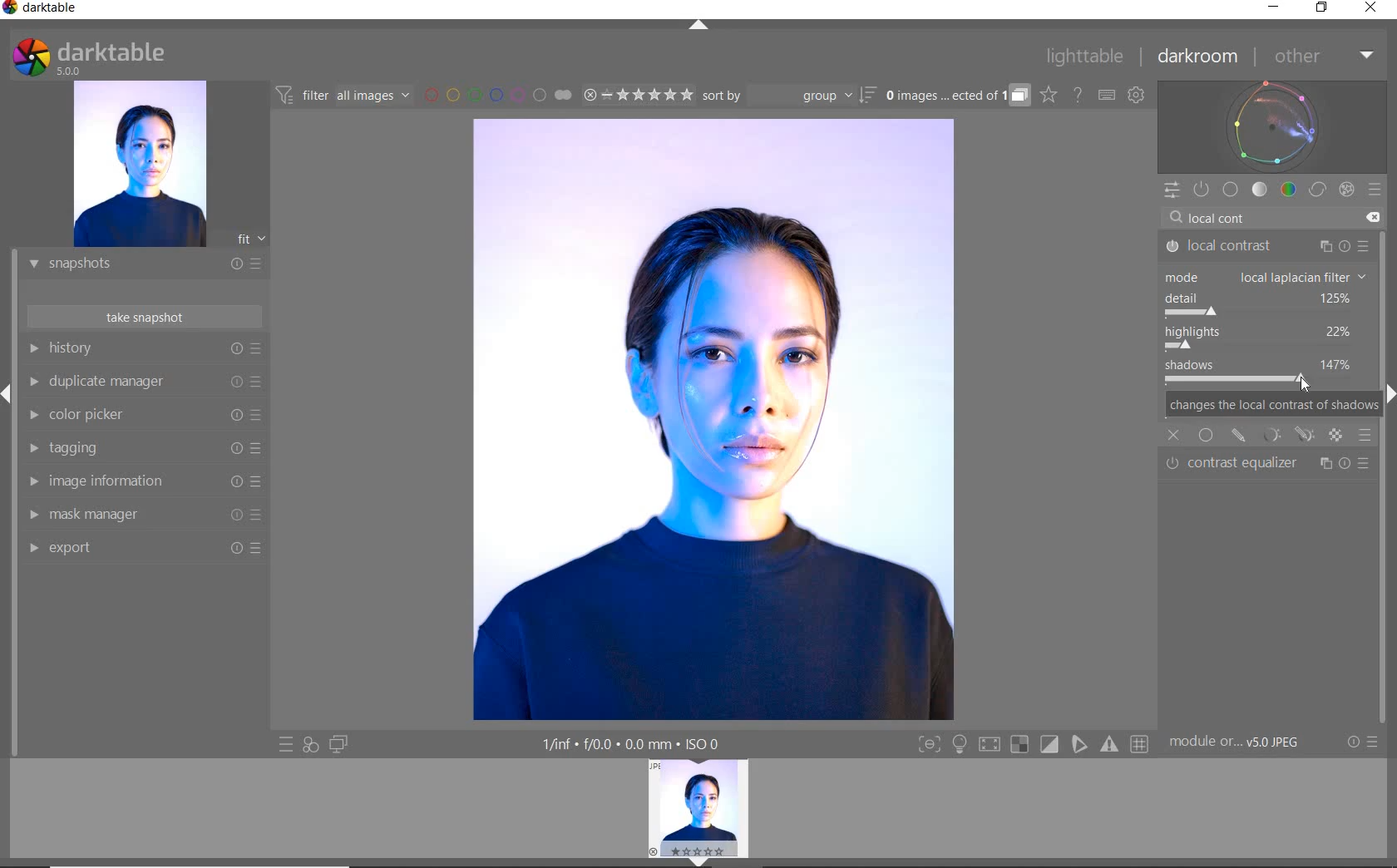 The height and width of the screenshot is (868, 1397). Describe the element at coordinates (139, 547) in the screenshot. I see `EXPORT` at that location.